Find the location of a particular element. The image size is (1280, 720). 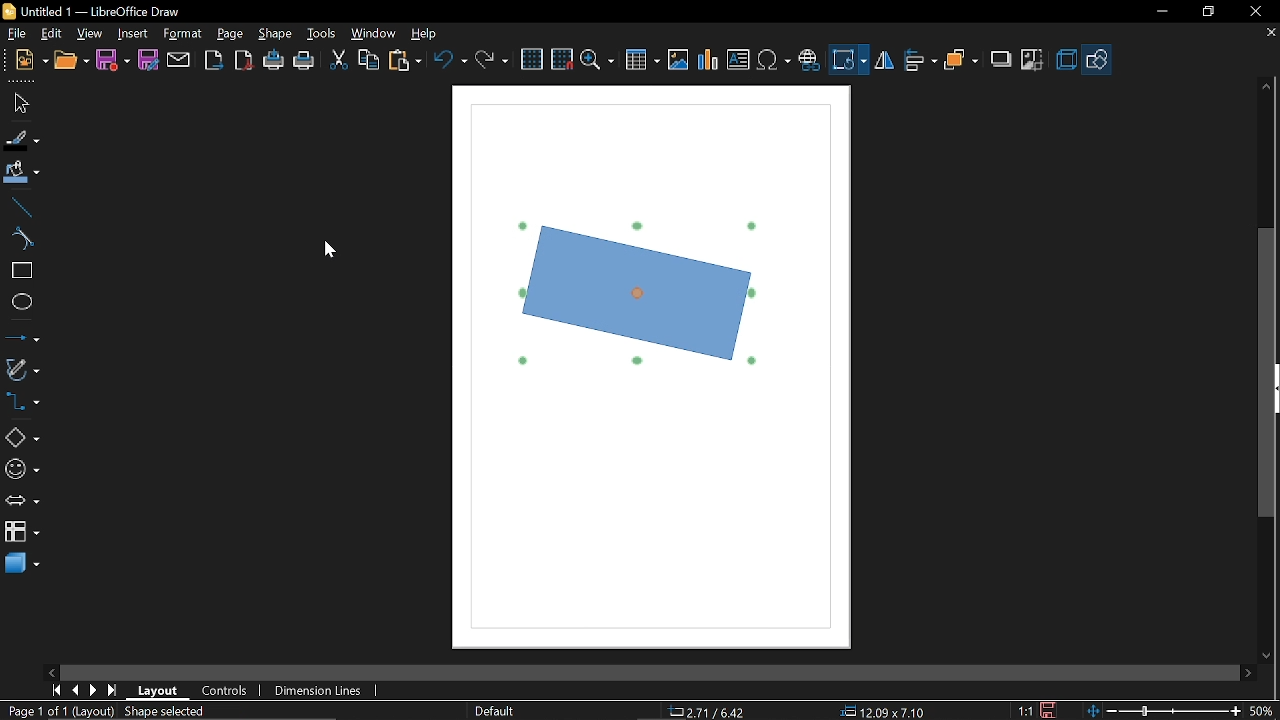

paste is located at coordinates (406, 60).